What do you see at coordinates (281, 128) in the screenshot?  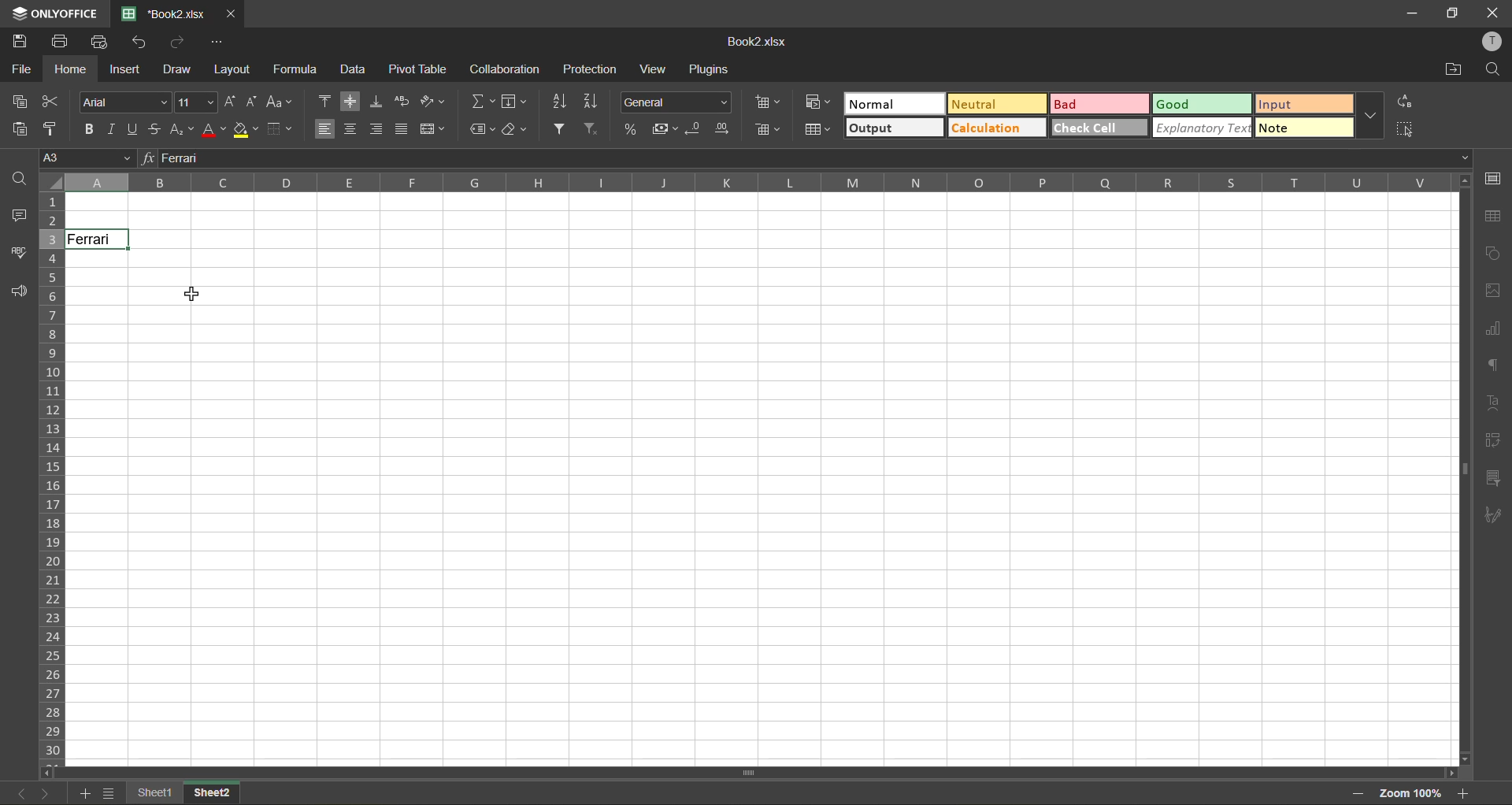 I see `borders` at bounding box center [281, 128].